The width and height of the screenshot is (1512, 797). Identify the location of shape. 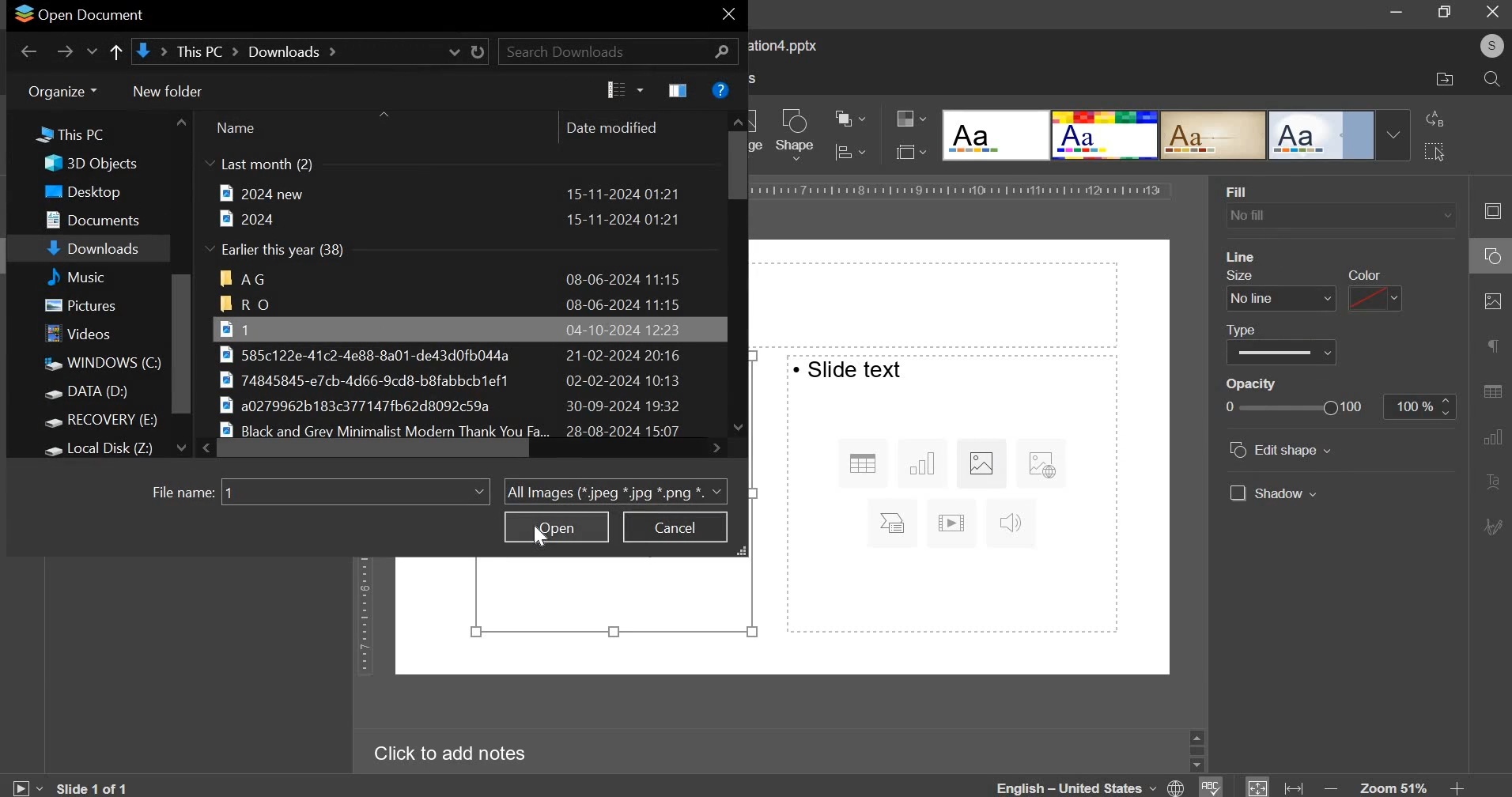
(796, 134).